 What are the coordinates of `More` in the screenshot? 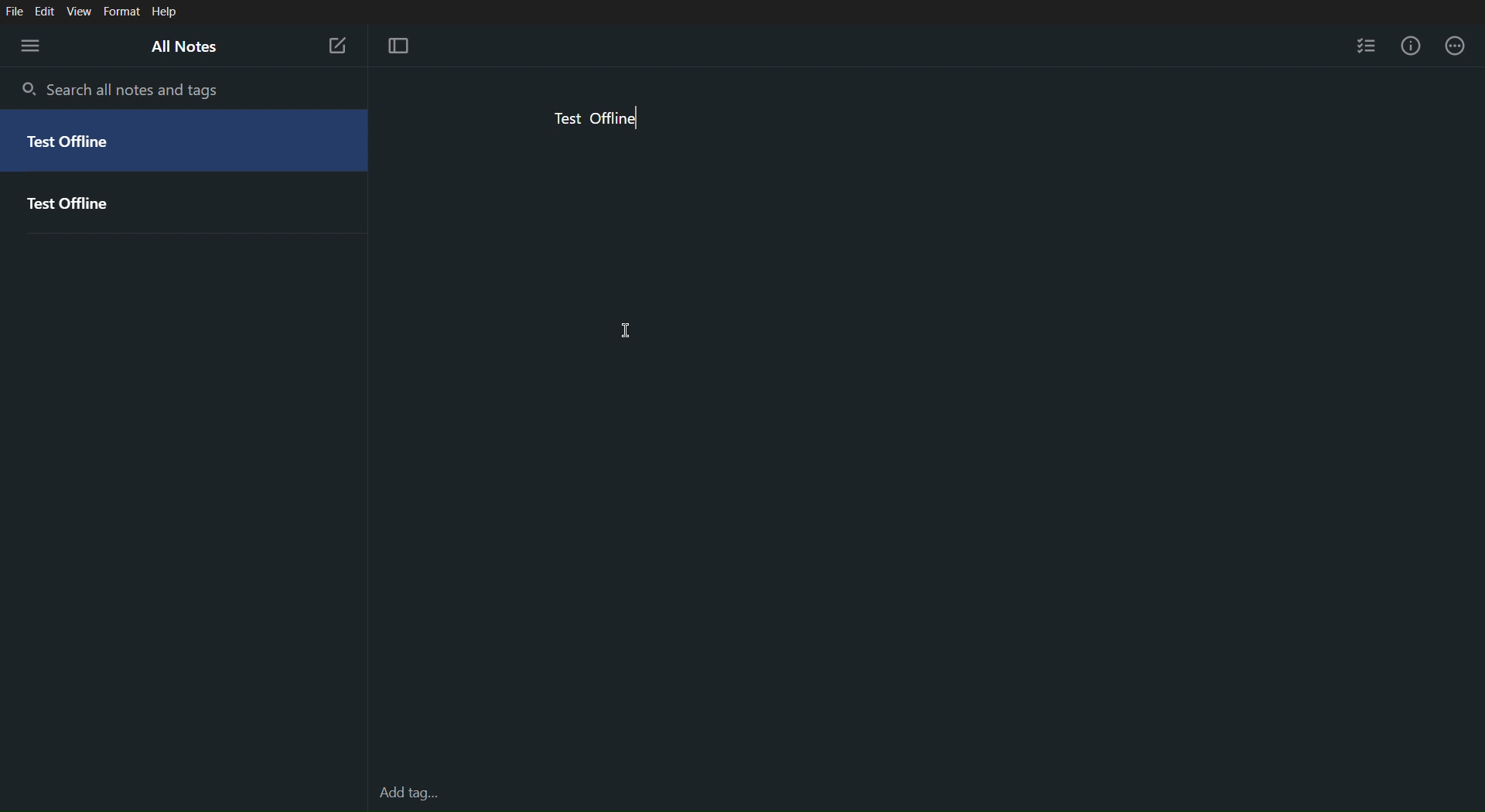 It's located at (1460, 48).